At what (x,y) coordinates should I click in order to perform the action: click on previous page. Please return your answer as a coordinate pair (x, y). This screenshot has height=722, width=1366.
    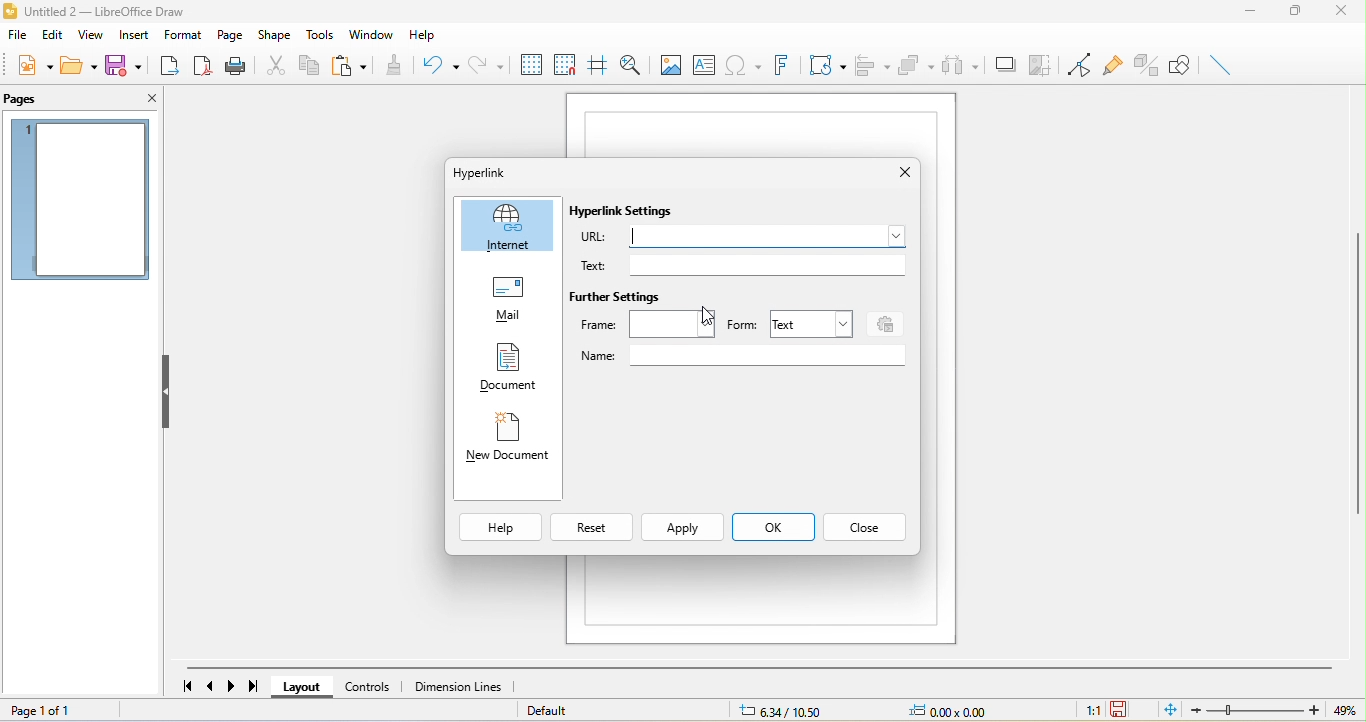
    Looking at the image, I should click on (212, 688).